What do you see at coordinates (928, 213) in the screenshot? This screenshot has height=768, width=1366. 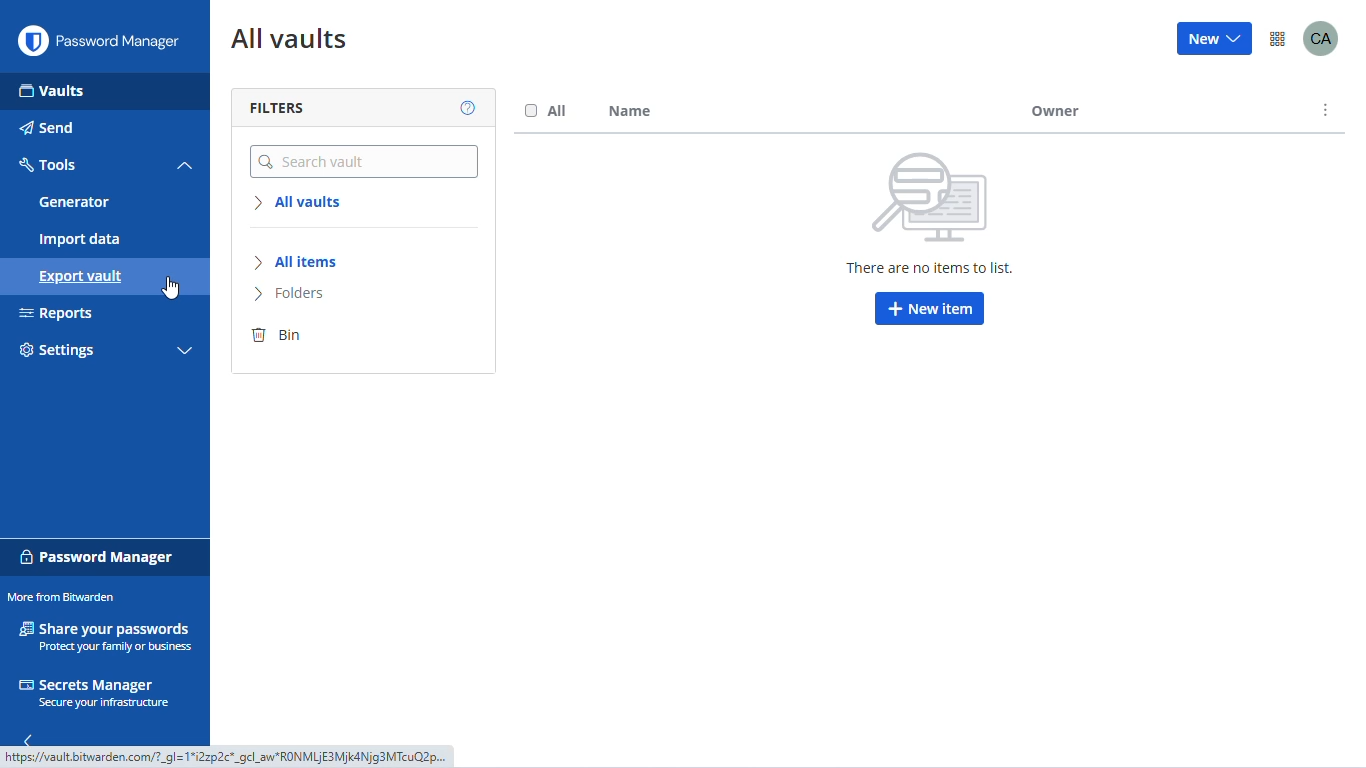 I see `there are no items to list` at bounding box center [928, 213].